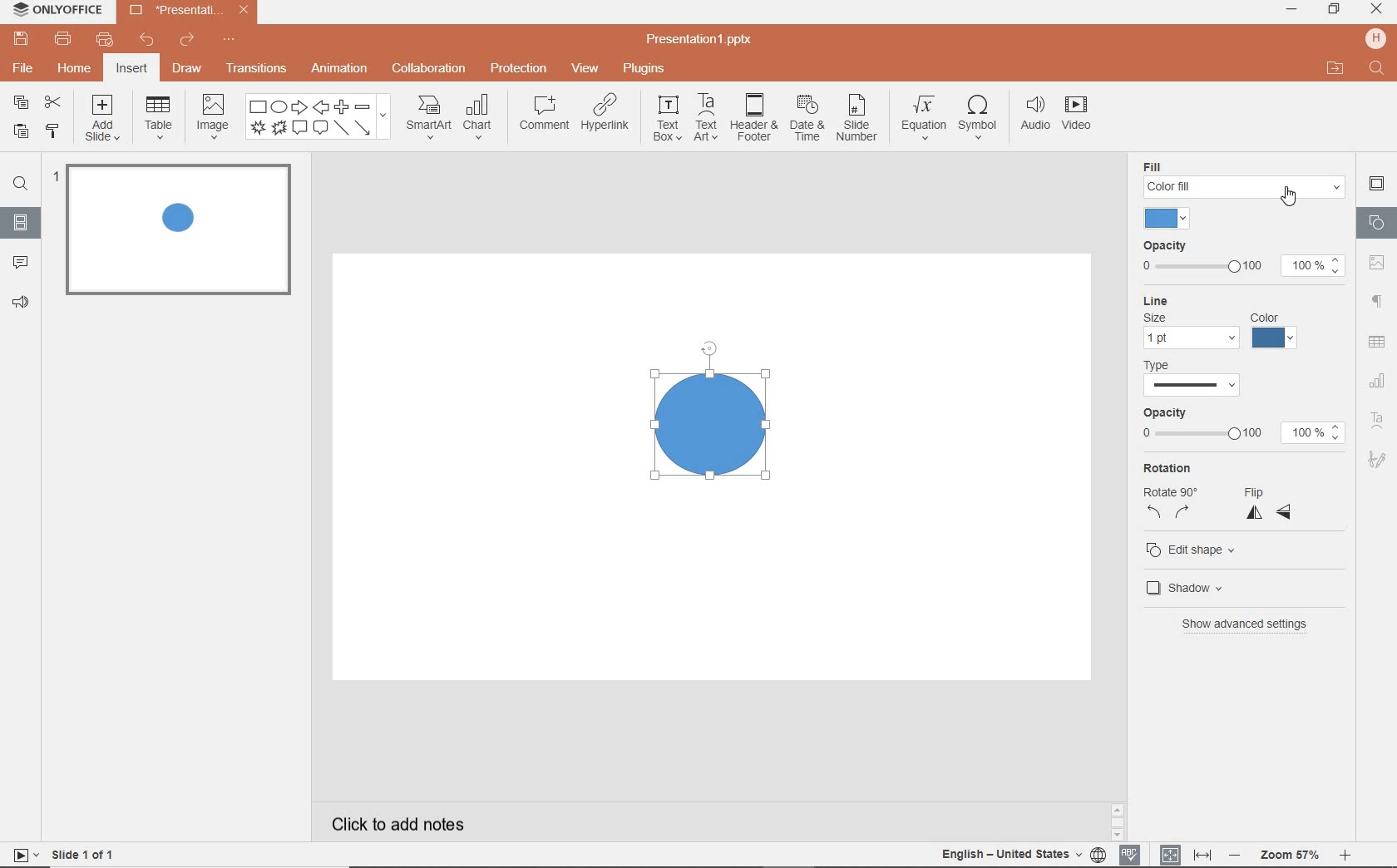 This screenshot has width=1397, height=868. What do you see at coordinates (1225, 301) in the screenshot?
I see `Line` at bounding box center [1225, 301].